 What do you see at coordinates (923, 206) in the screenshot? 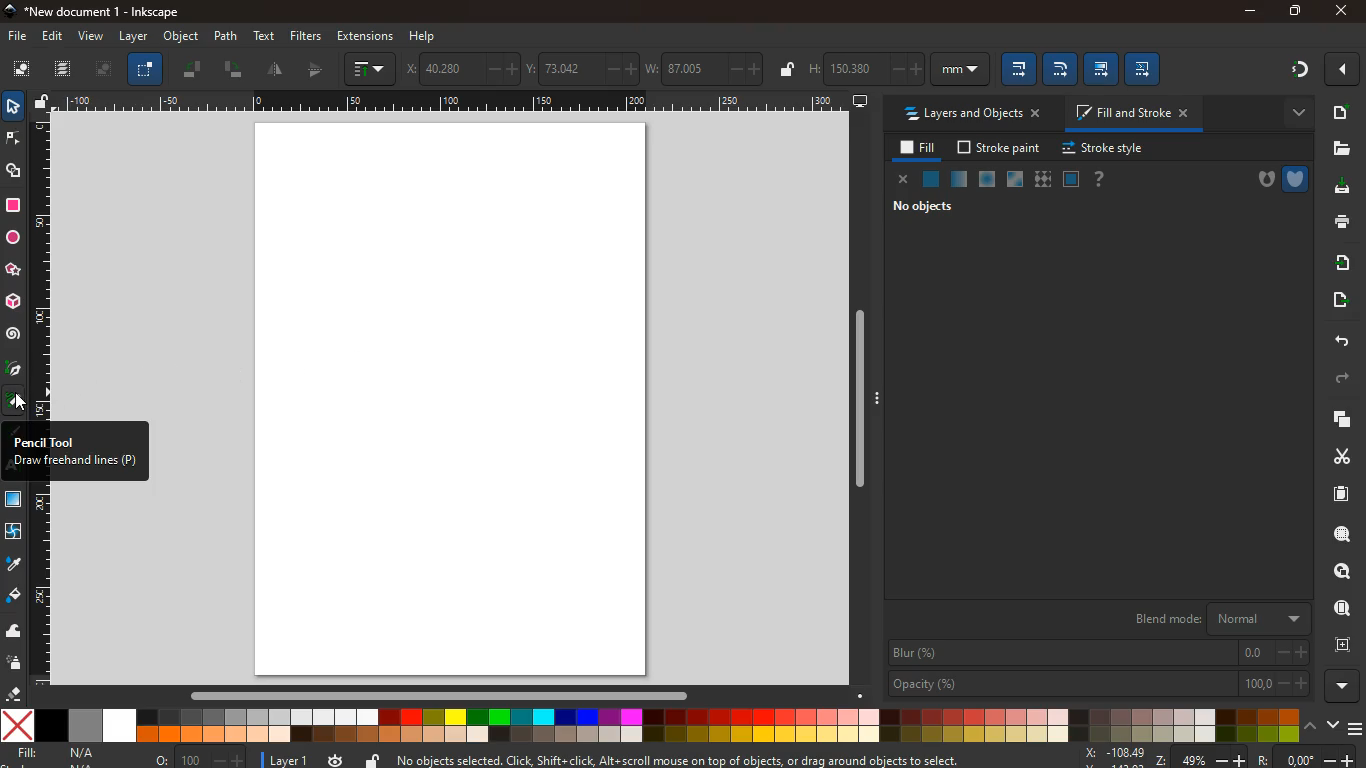
I see `no objects` at bounding box center [923, 206].